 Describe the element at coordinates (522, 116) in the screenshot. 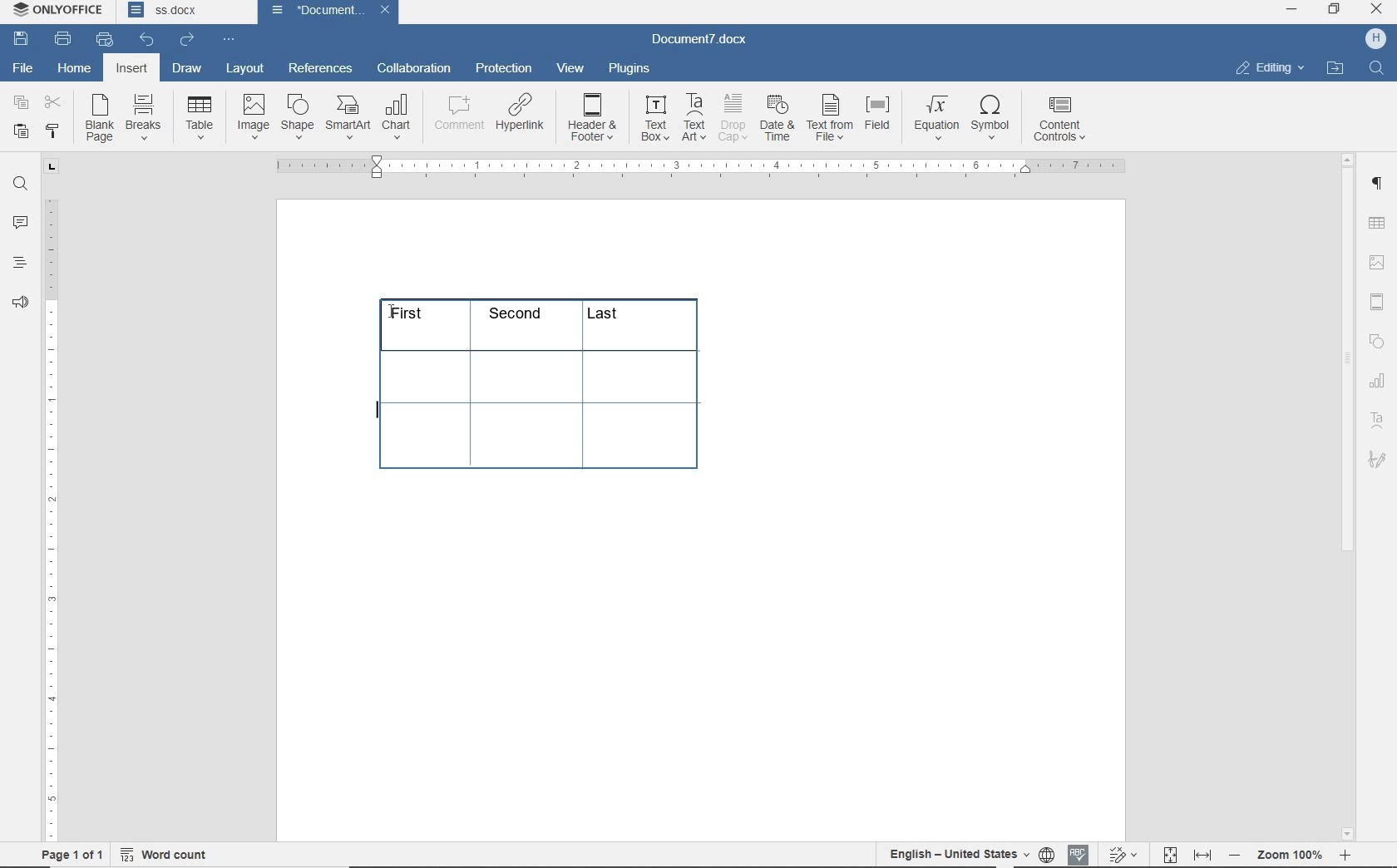

I see `hyperlink` at that location.